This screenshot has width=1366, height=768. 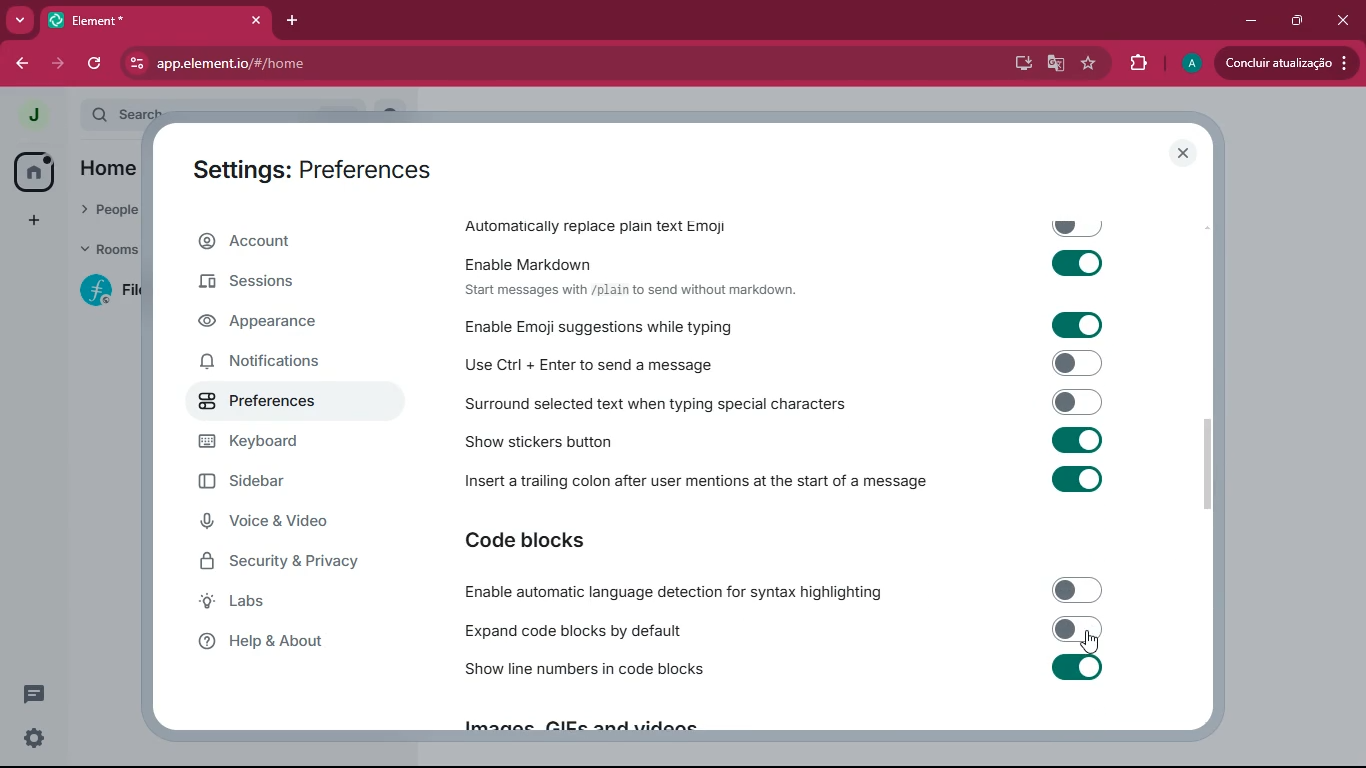 What do you see at coordinates (18, 61) in the screenshot?
I see `back` at bounding box center [18, 61].